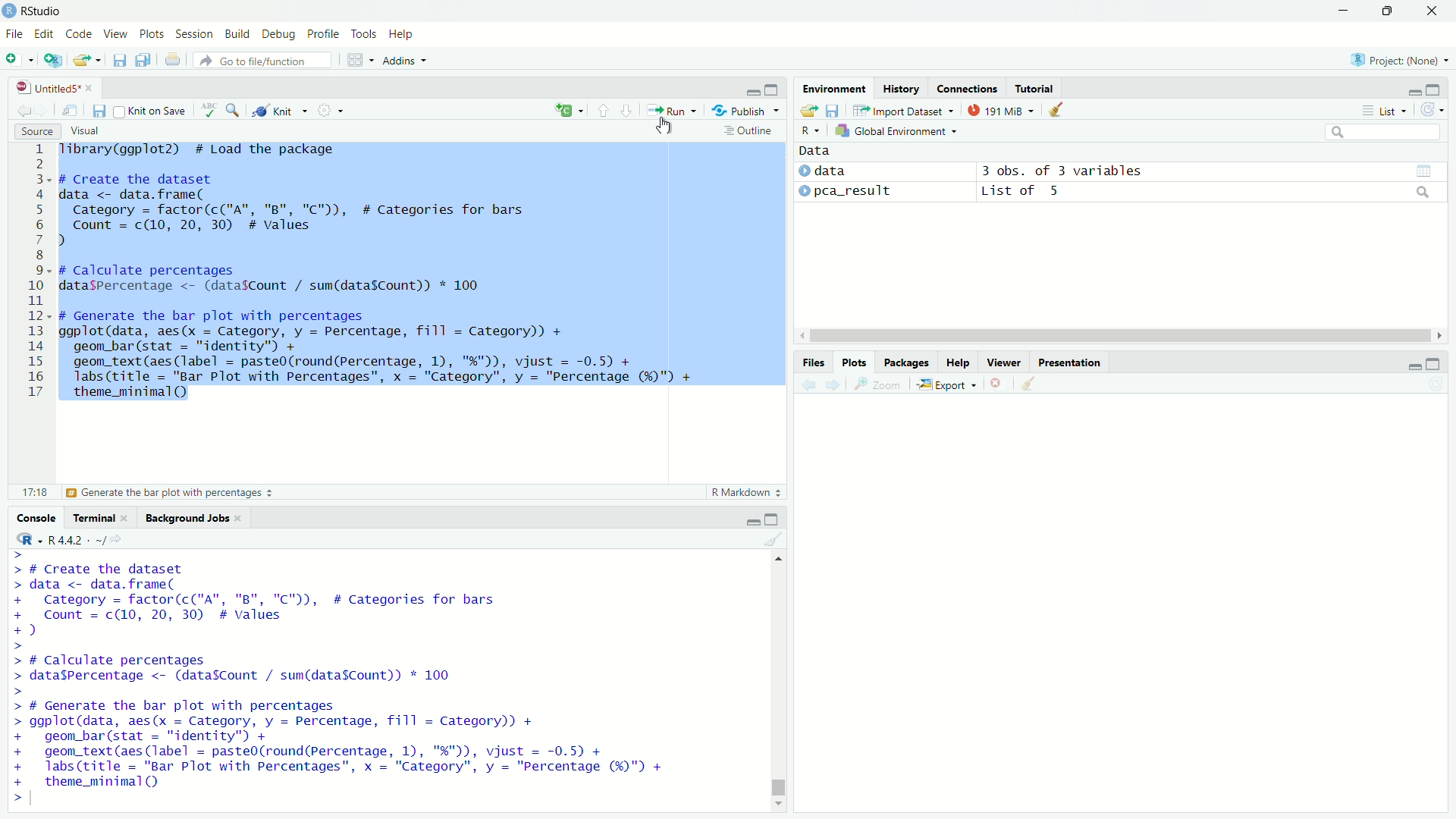 The height and width of the screenshot is (819, 1456). What do you see at coordinates (742, 493) in the screenshot?
I see `R markdown` at bounding box center [742, 493].